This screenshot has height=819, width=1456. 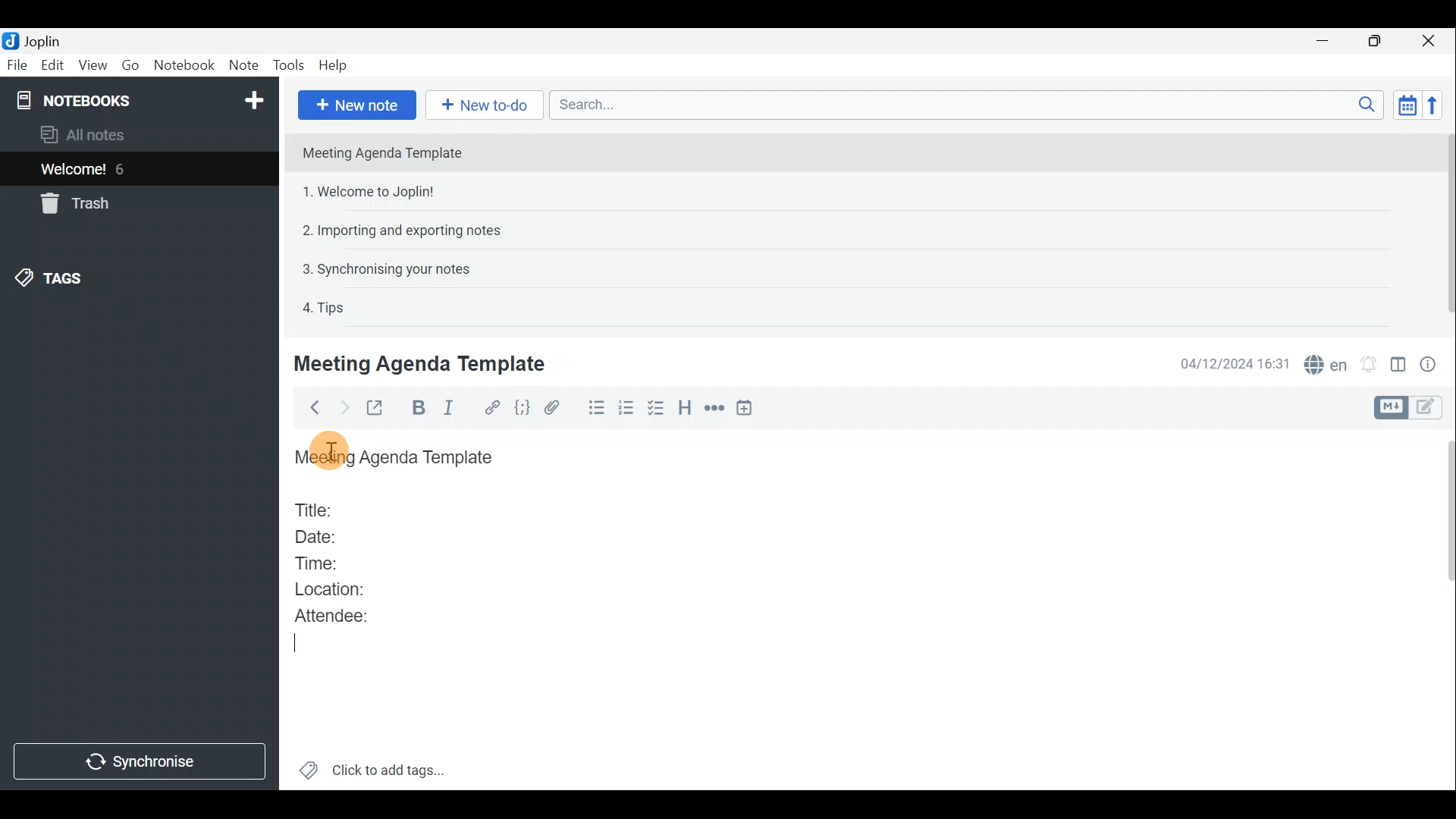 What do you see at coordinates (626, 410) in the screenshot?
I see `Numbered list` at bounding box center [626, 410].